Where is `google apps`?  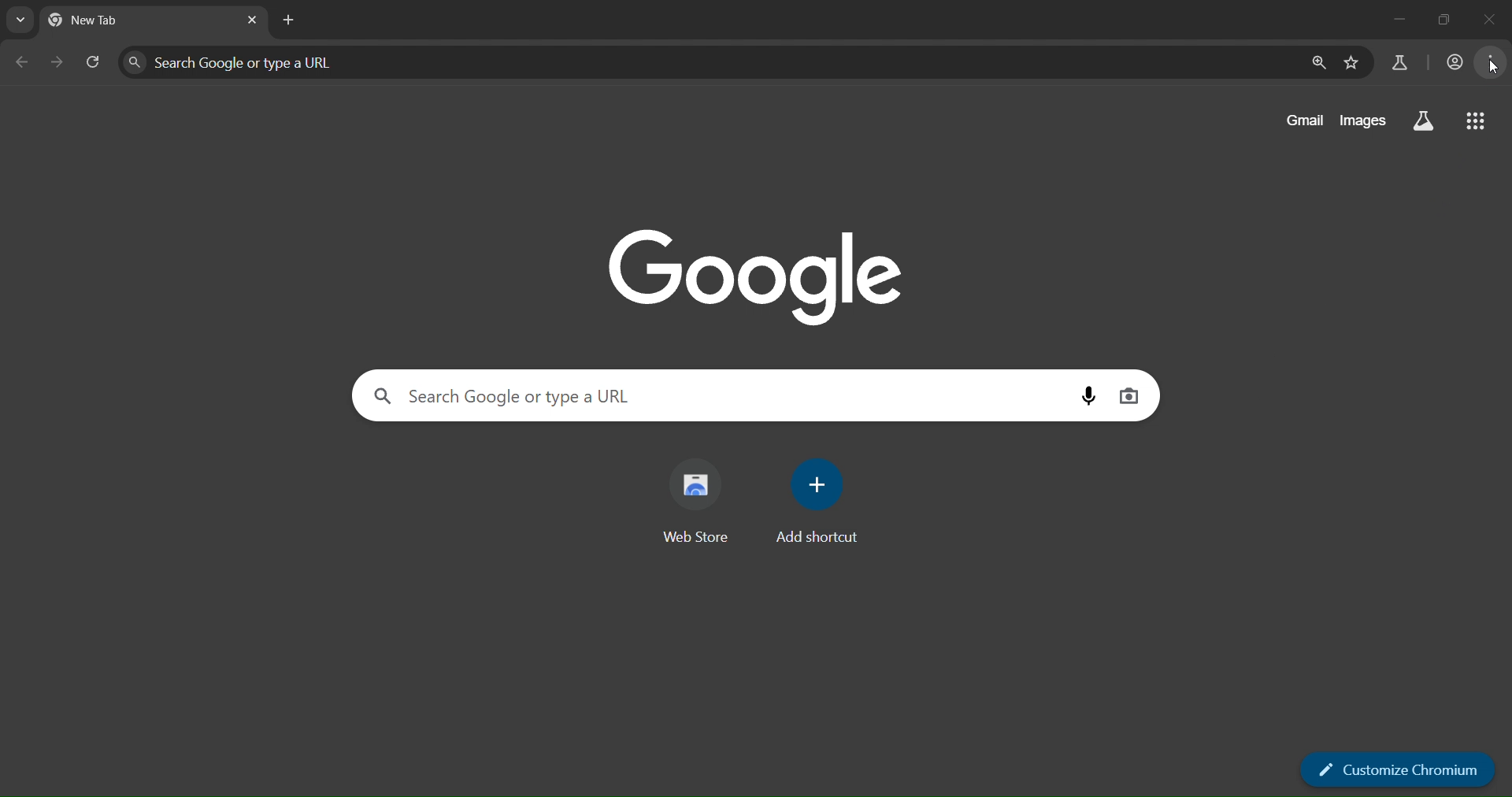
google apps is located at coordinates (1478, 123).